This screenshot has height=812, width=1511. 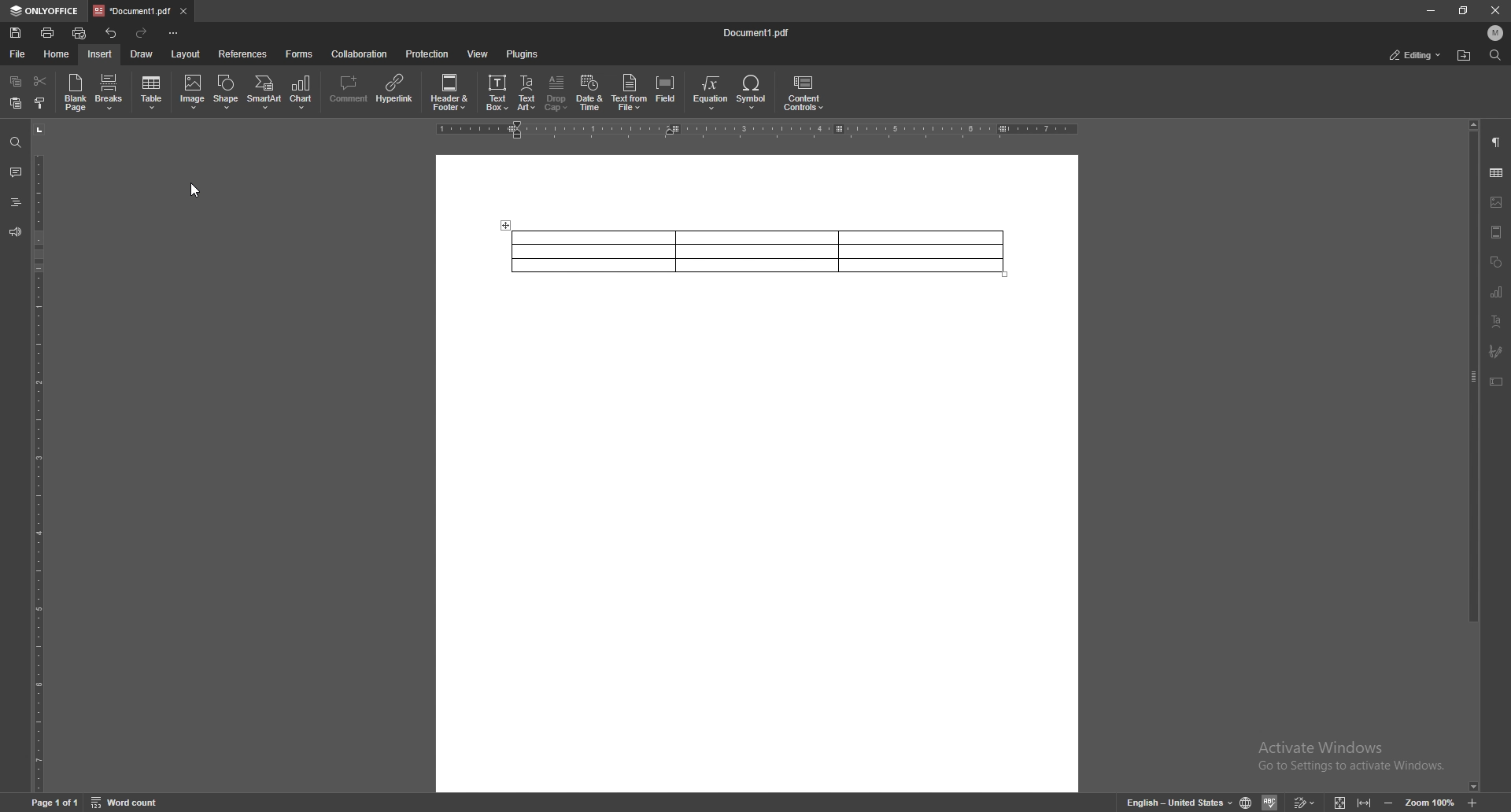 What do you see at coordinates (175, 34) in the screenshot?
I see `configure toolbar` at bounding box center [175, 34].